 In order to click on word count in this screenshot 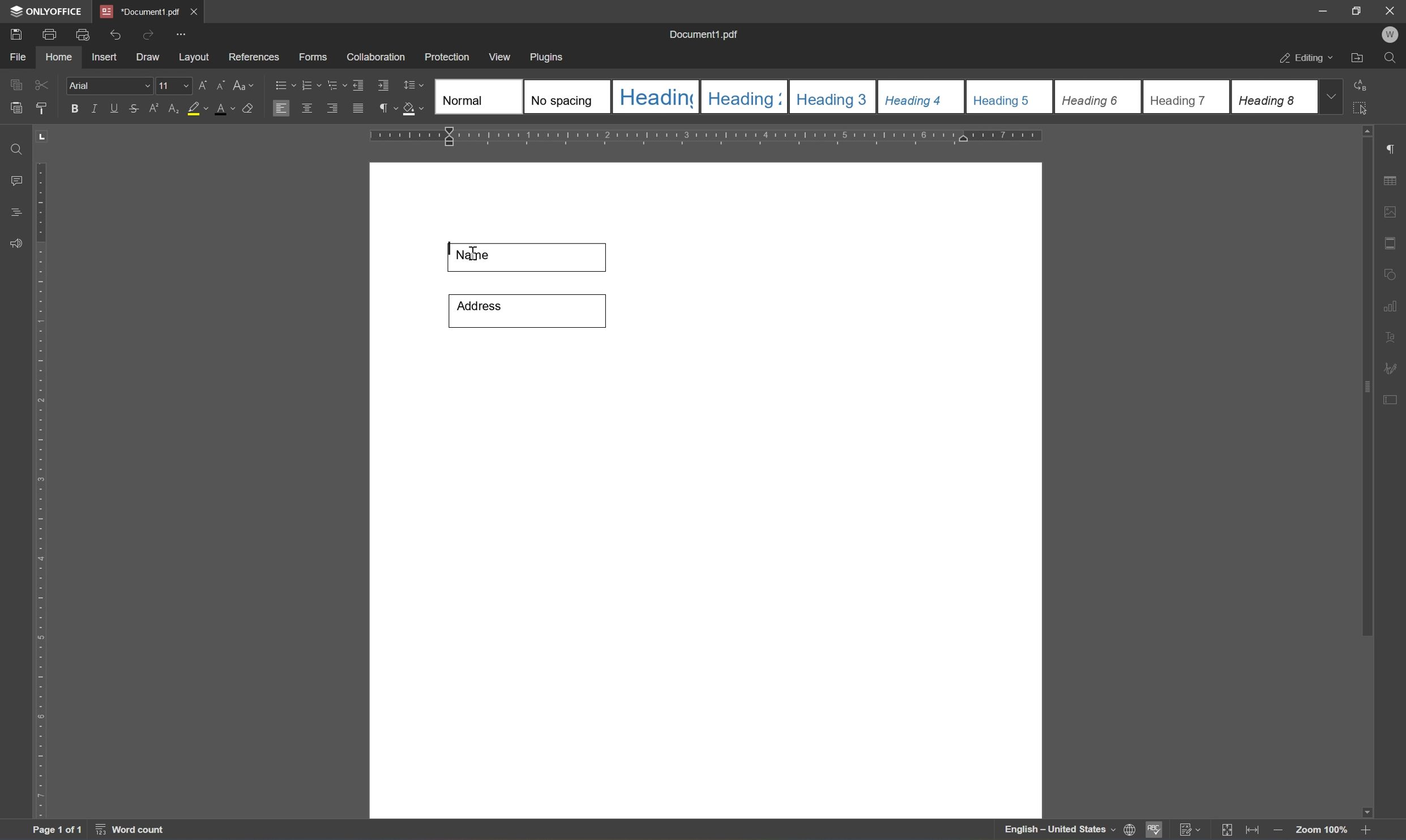, I will do `click(128, 831)`.